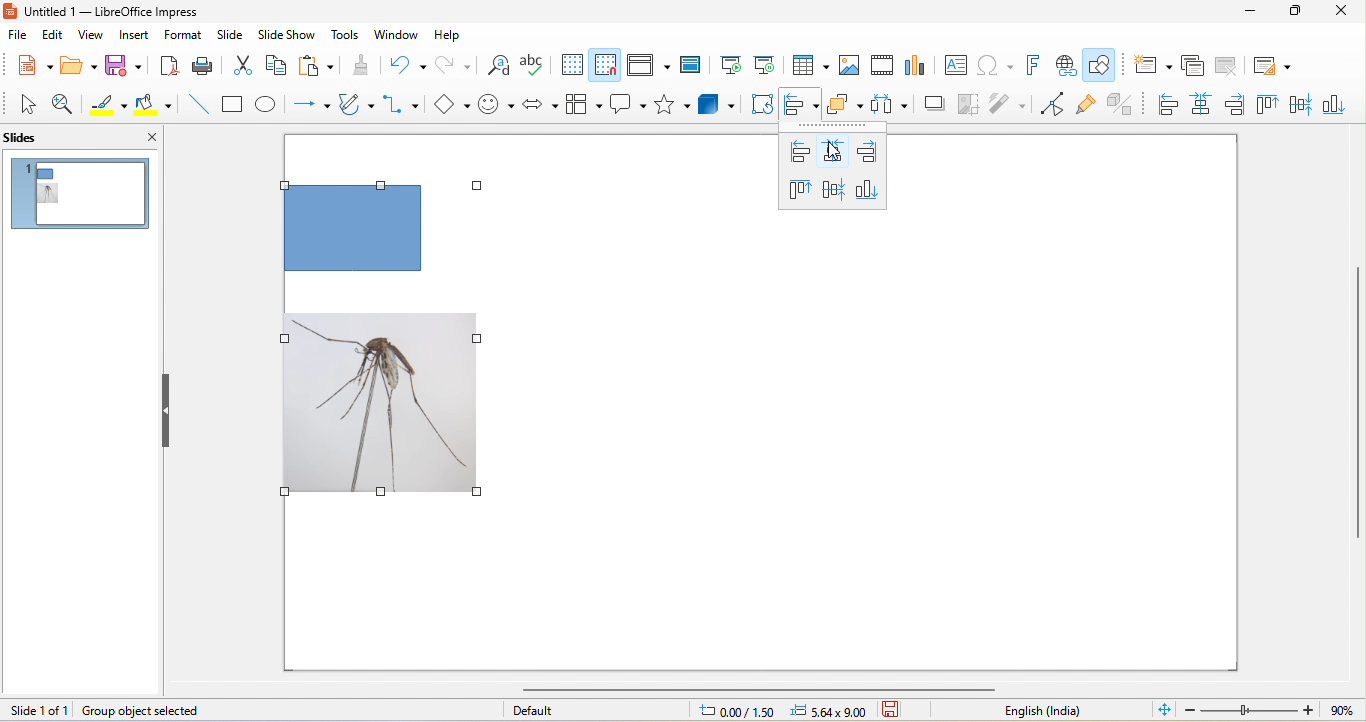 This screenshot has height=722, width=1366. Describe the element at coordinates (694, 64) in the screenshot. I see `master slide` at that location.